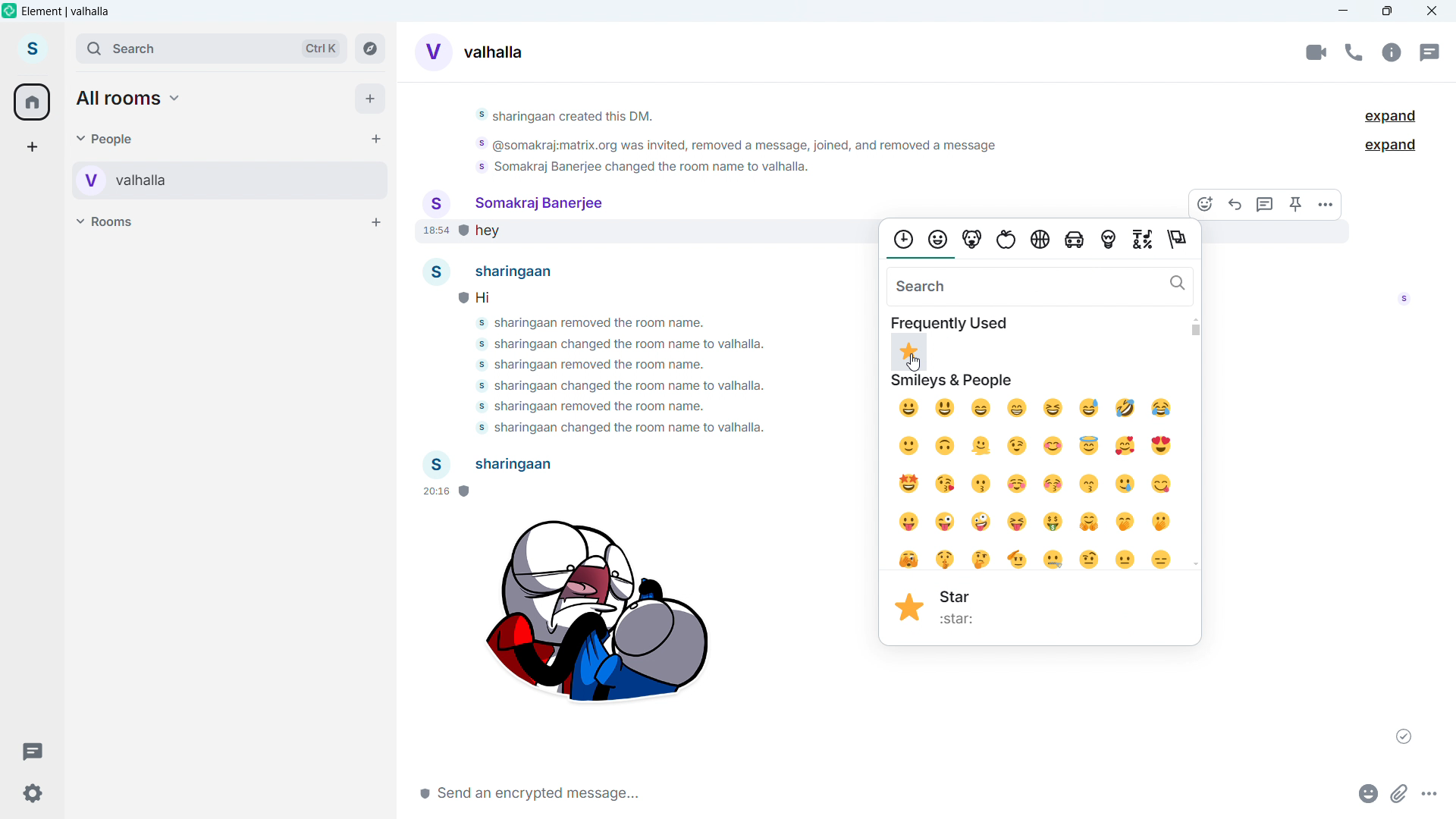 This screenshot has width=1456, height=819. What do you see at coordinates (1090, 407) in the screenshot?
I see `grinning face with sweat` at bounding box center [1090, 407].